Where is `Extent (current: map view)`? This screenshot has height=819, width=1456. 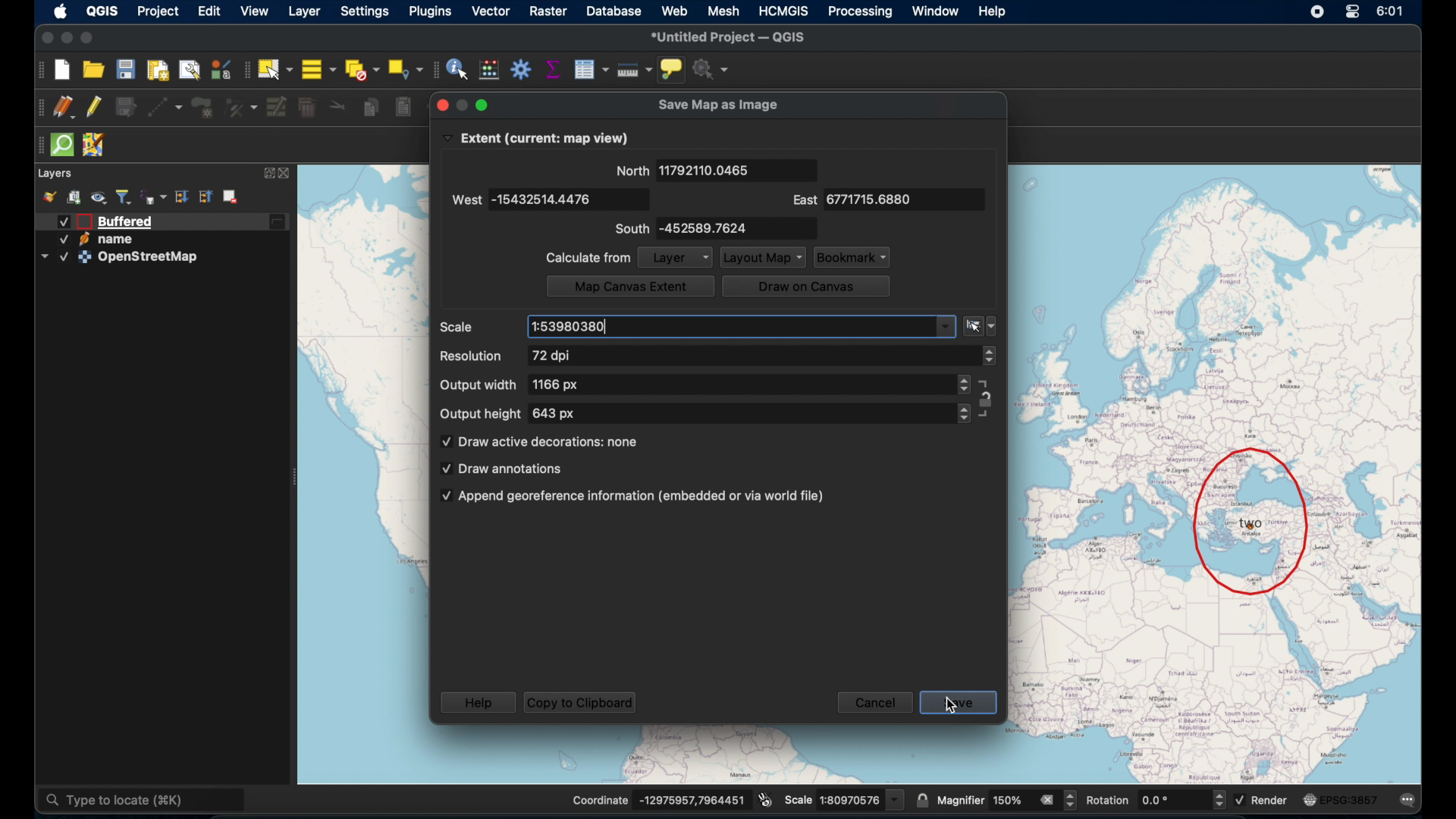 Extent (current: map view) is located at coordinates (538, 140).